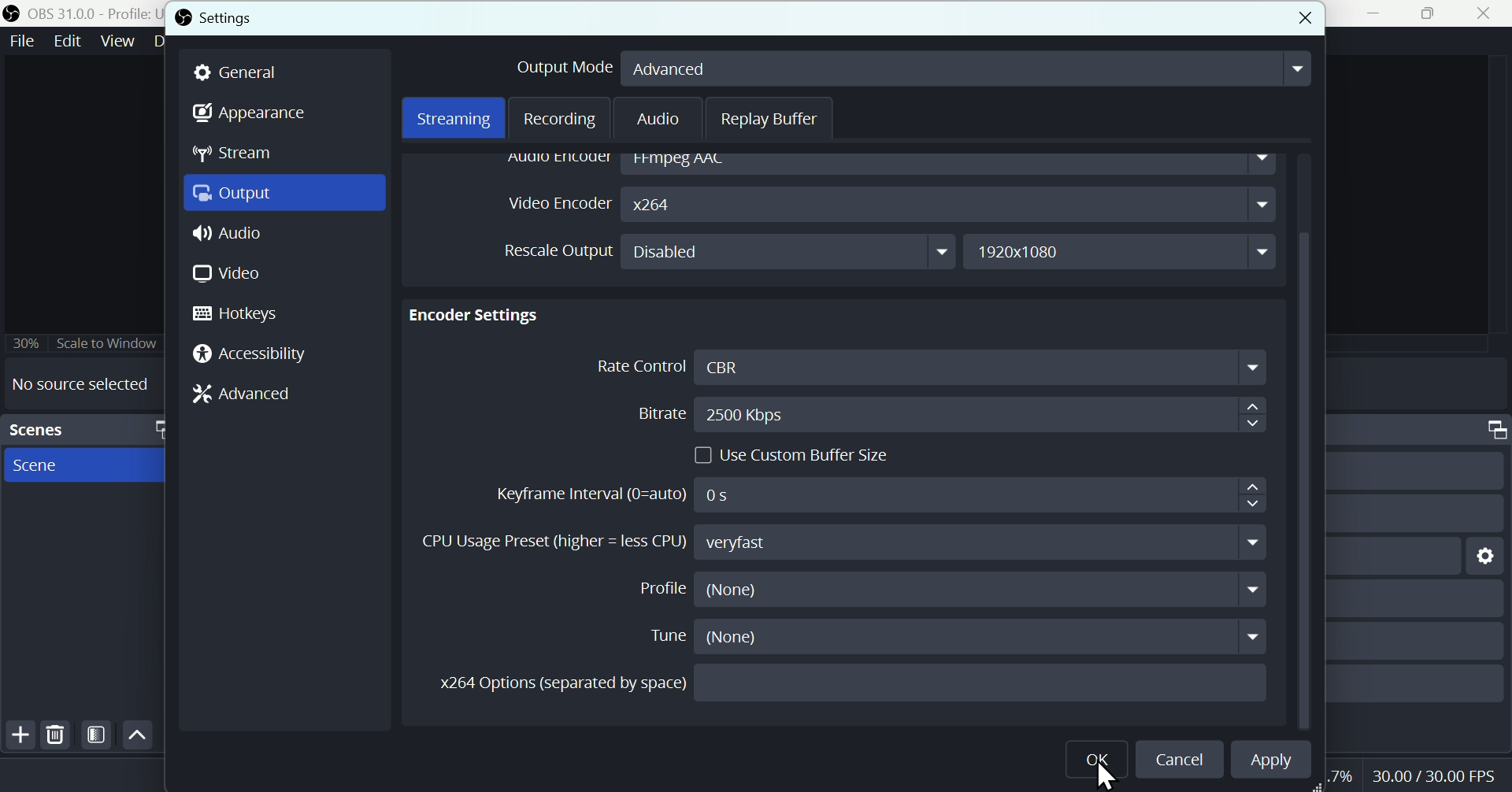 This screenshot has width=1512, height=792. Describe the element at coordinates (82, 344) in the screenshot. I see `30% scale to window` at that location.